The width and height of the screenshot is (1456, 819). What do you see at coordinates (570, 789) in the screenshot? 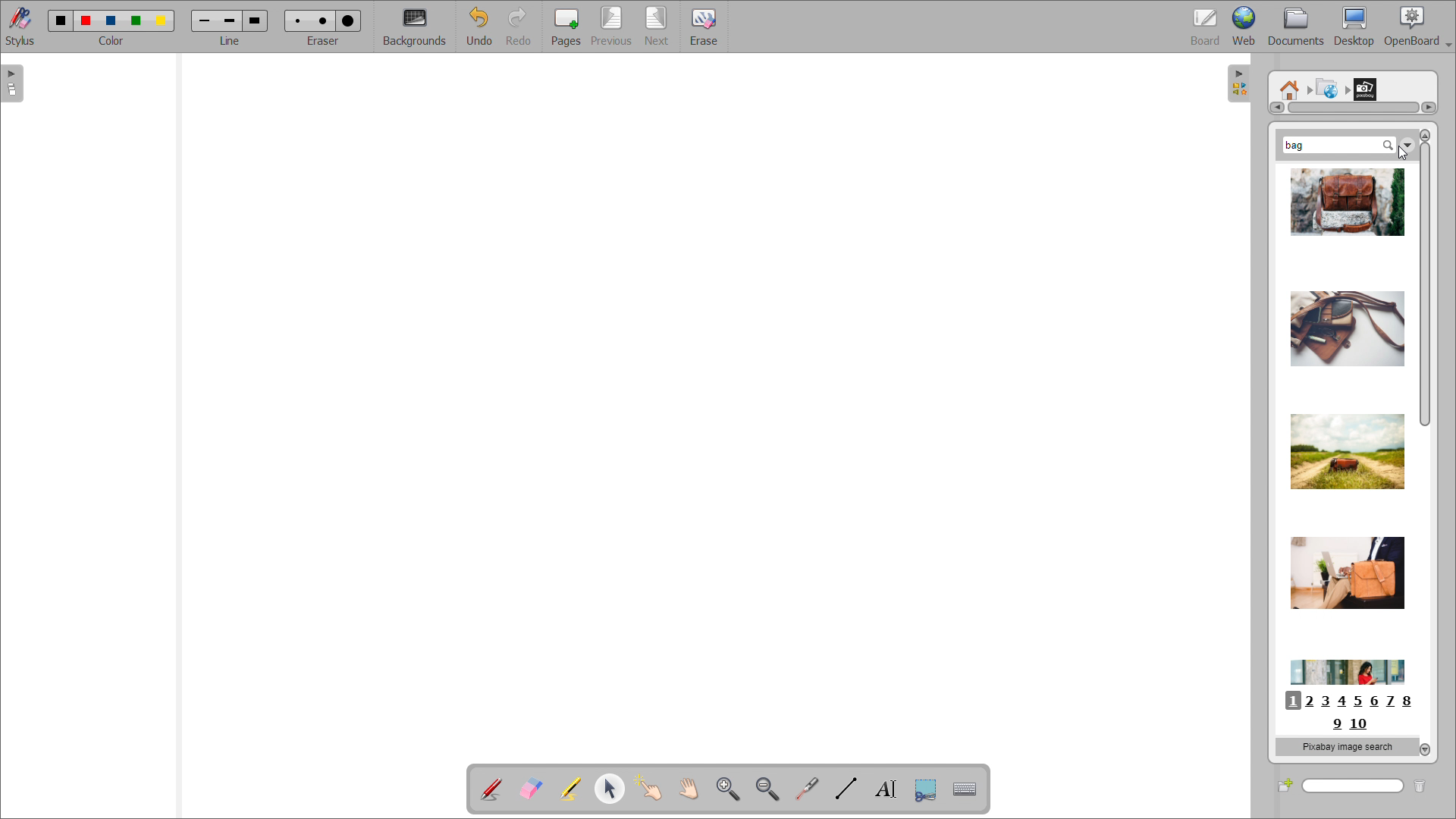
I see `highlighter` at bounding box center [570, 789].